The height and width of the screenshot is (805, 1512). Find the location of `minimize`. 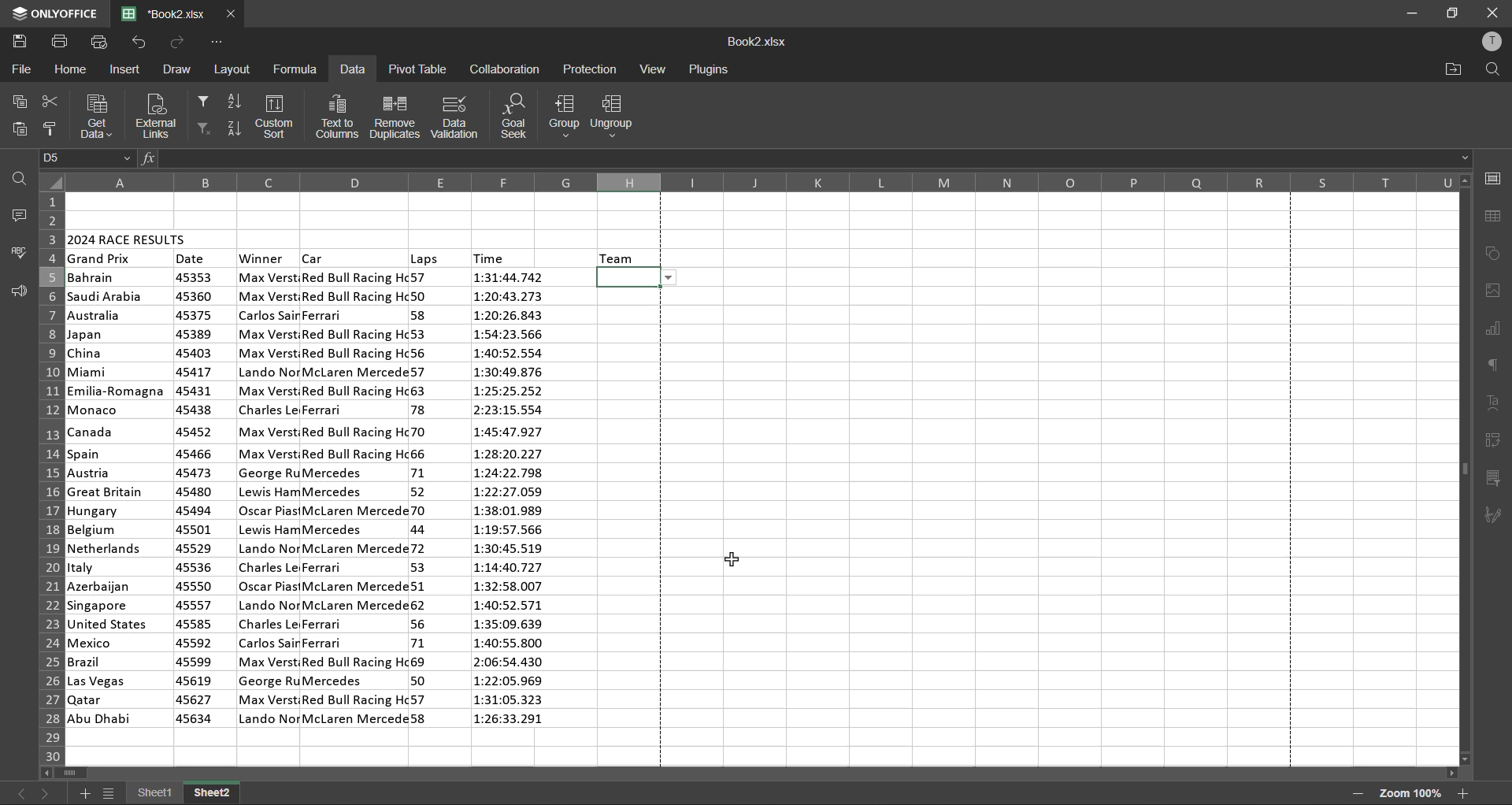

minimize is located at coordinates (1411, 14).